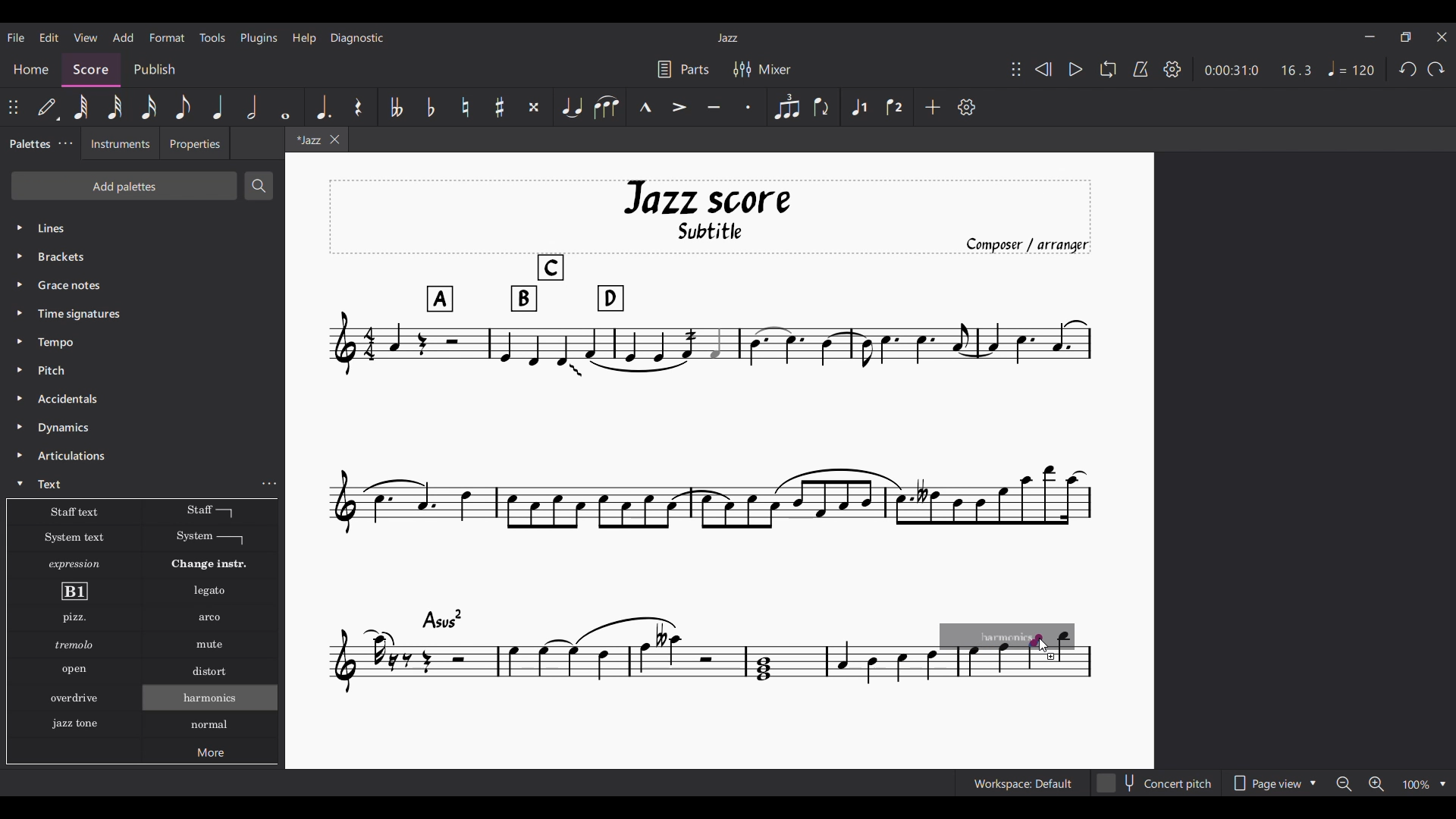 Image resolution: width=1456 pixels, height=819 pixels. I want to click on Arco, so click(211, 618).